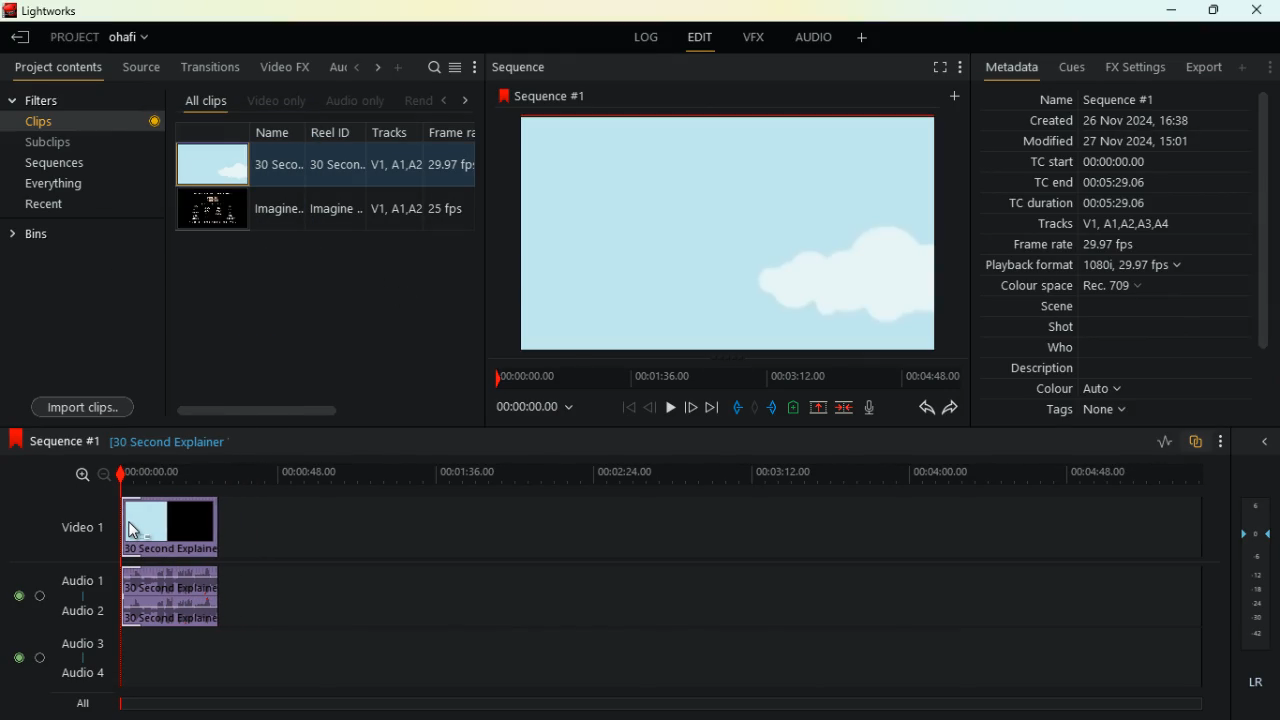 The image size is (1280, 720). I want to click on Record, so click(156, 121).